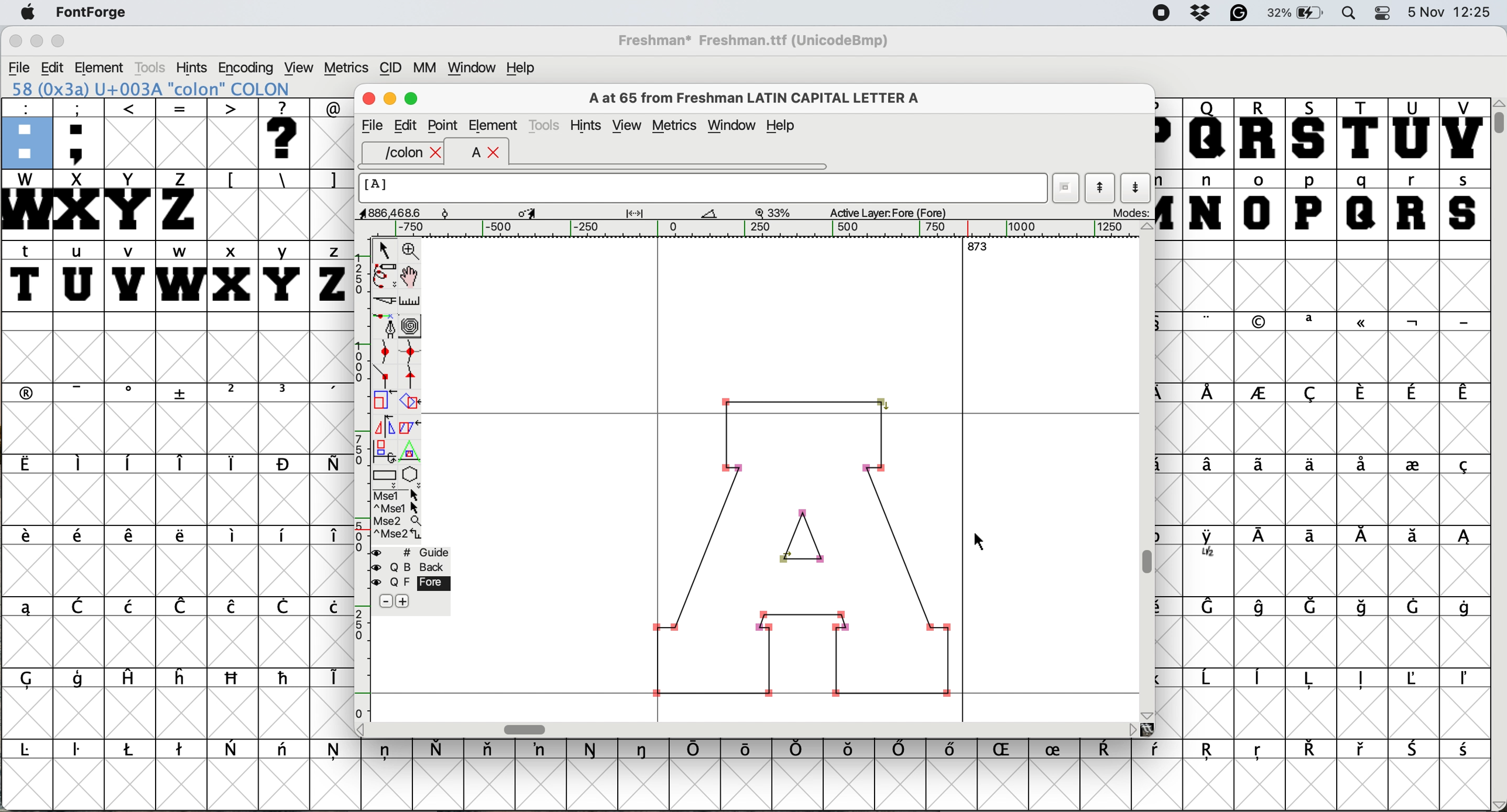  What do you see at coordinates (284, 608) in the screenshot?
I see `symbol` at bounding box center [284, 608].